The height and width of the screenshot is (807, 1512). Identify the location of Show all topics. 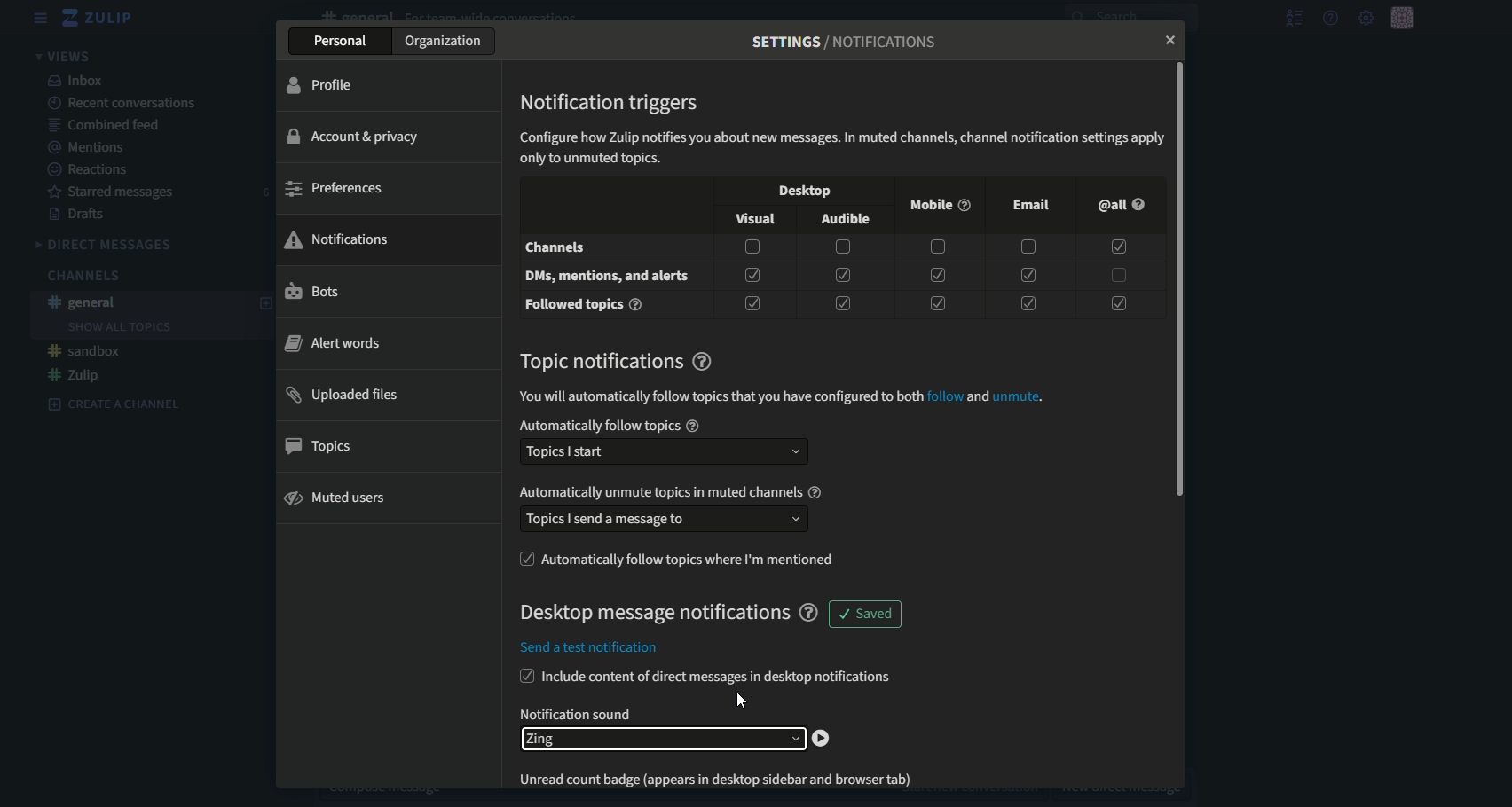
(119, 327).